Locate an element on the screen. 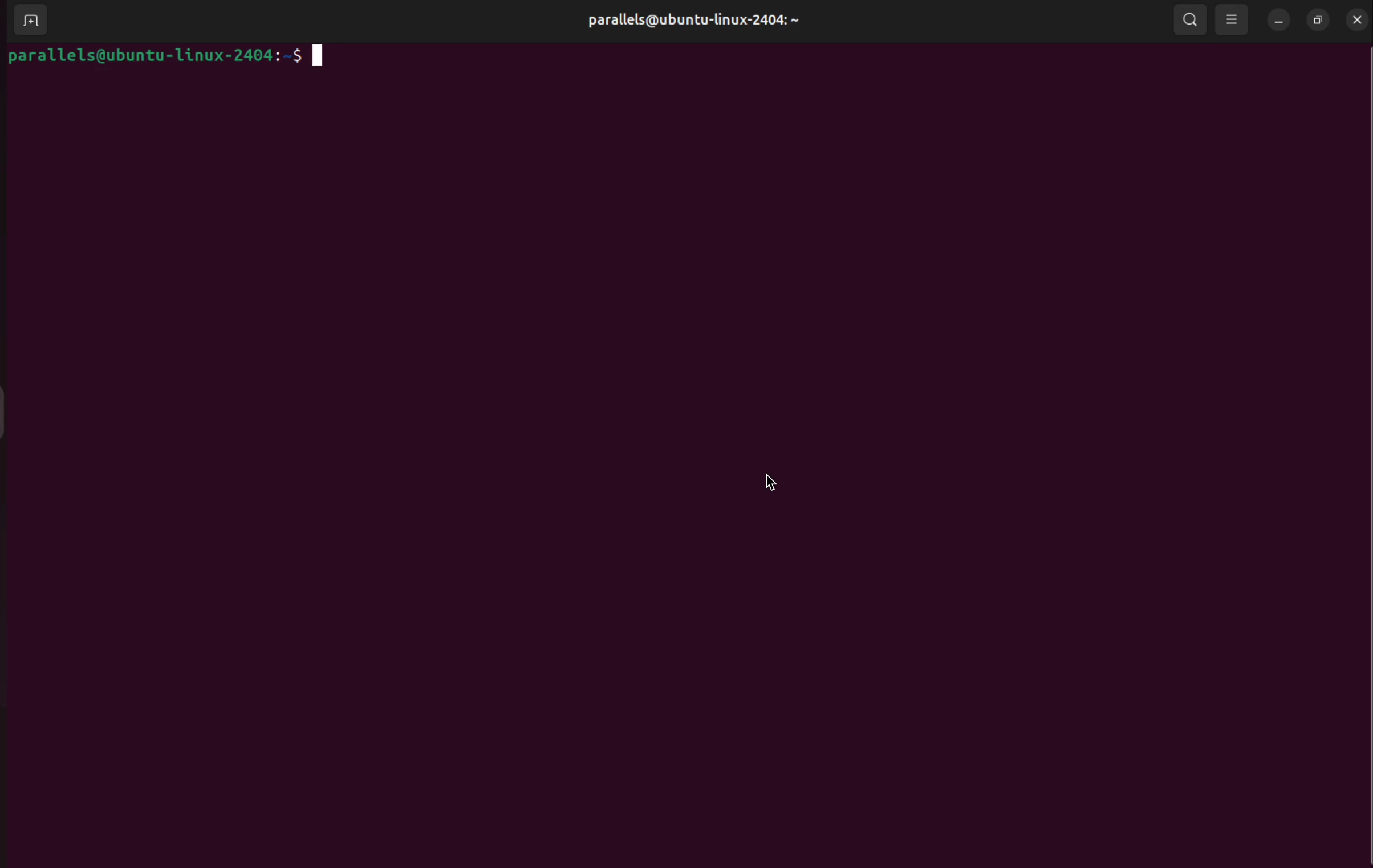 This screenshot has height=868, width=1373. parallels@ubuntu-linux-2404: ~ is located at coordinates (688, 17).